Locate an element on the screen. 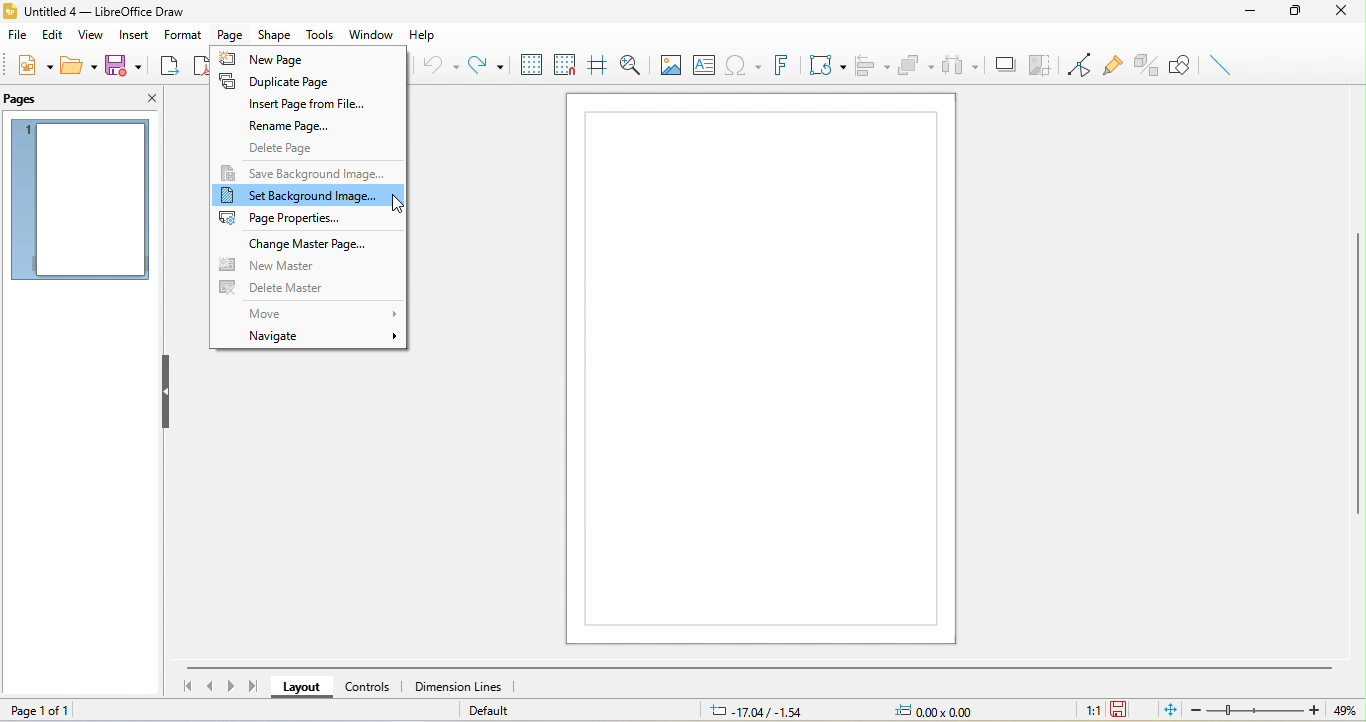 This screenshot has width=1366, height=722. close is located at coordinates (1346, 13).